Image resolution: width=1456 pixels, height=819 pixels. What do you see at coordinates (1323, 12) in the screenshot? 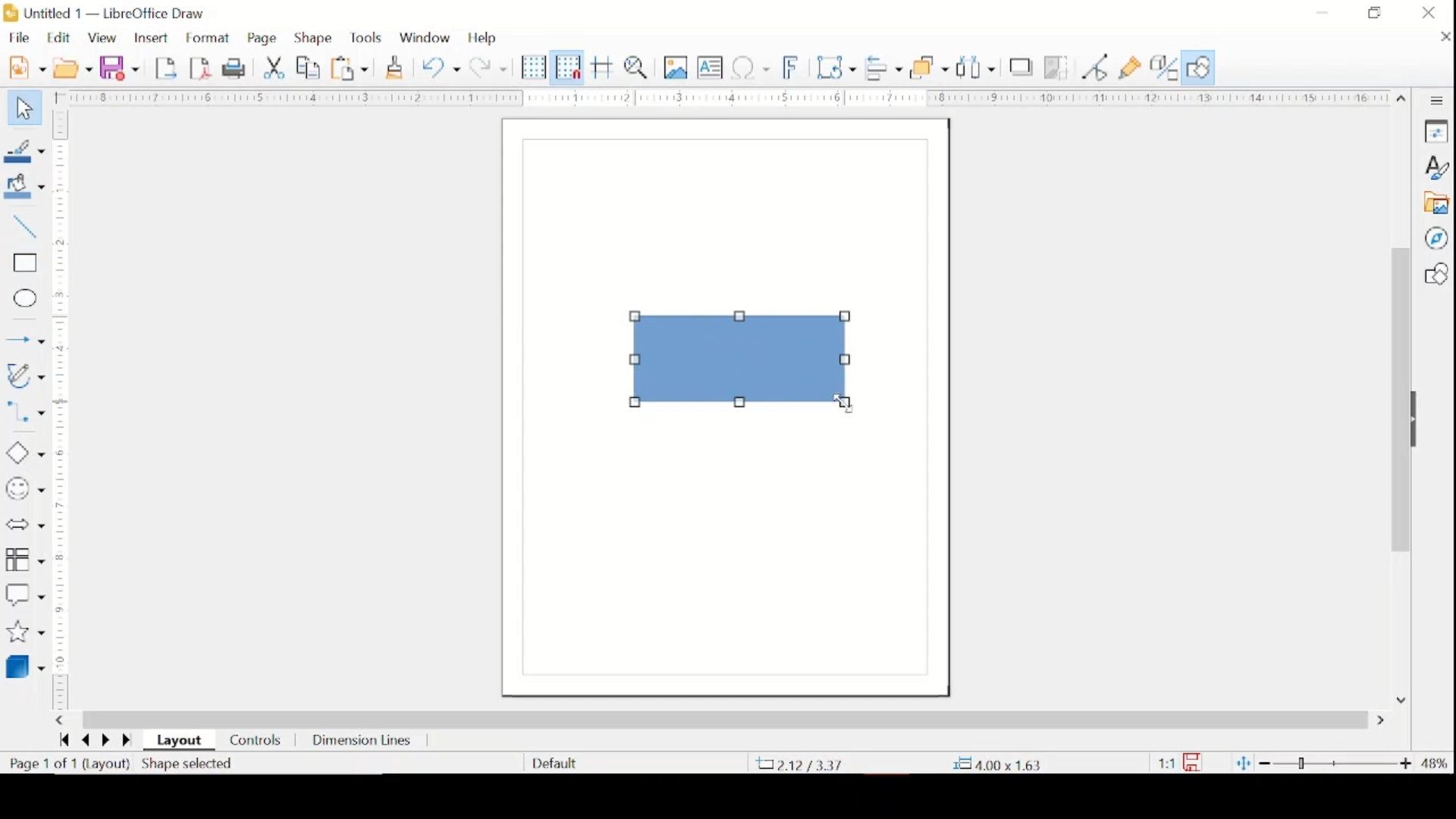
I see `minimize` at bounding box center [1323, 12].